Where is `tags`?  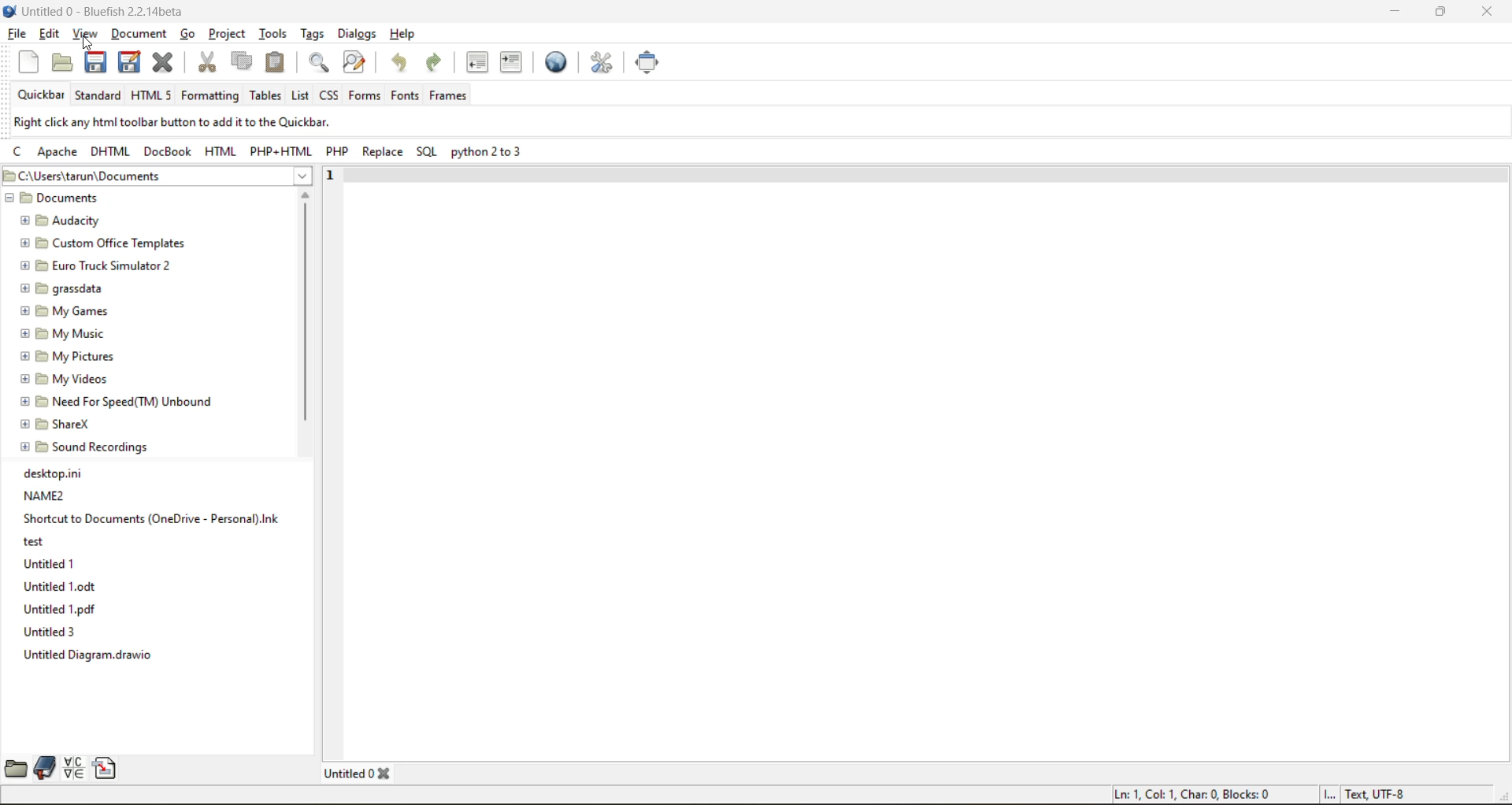
tags is located at coordinates (309, 34).